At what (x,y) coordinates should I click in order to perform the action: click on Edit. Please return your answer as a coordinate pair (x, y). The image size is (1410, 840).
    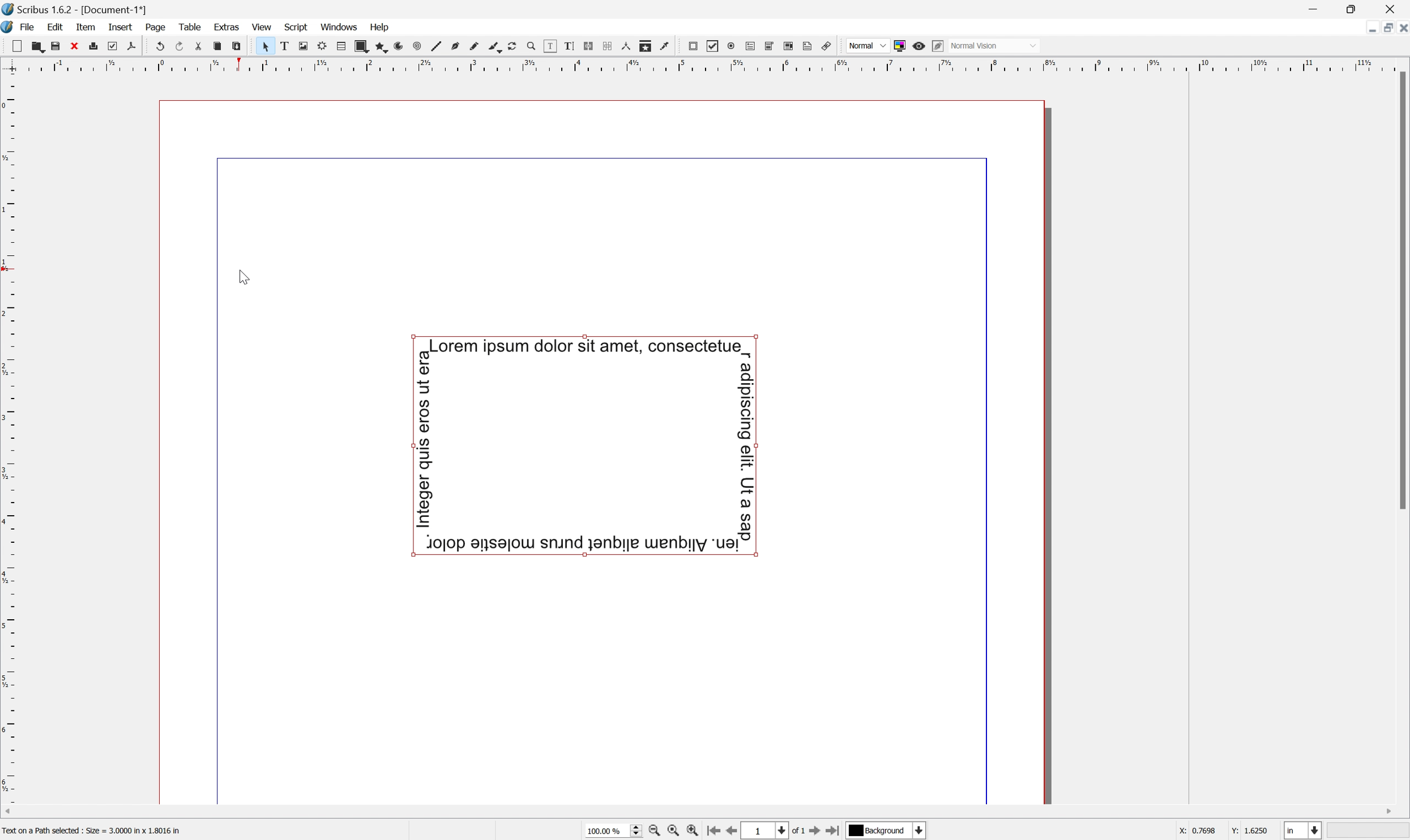
    Looking at the image, I should click on (54, 28).